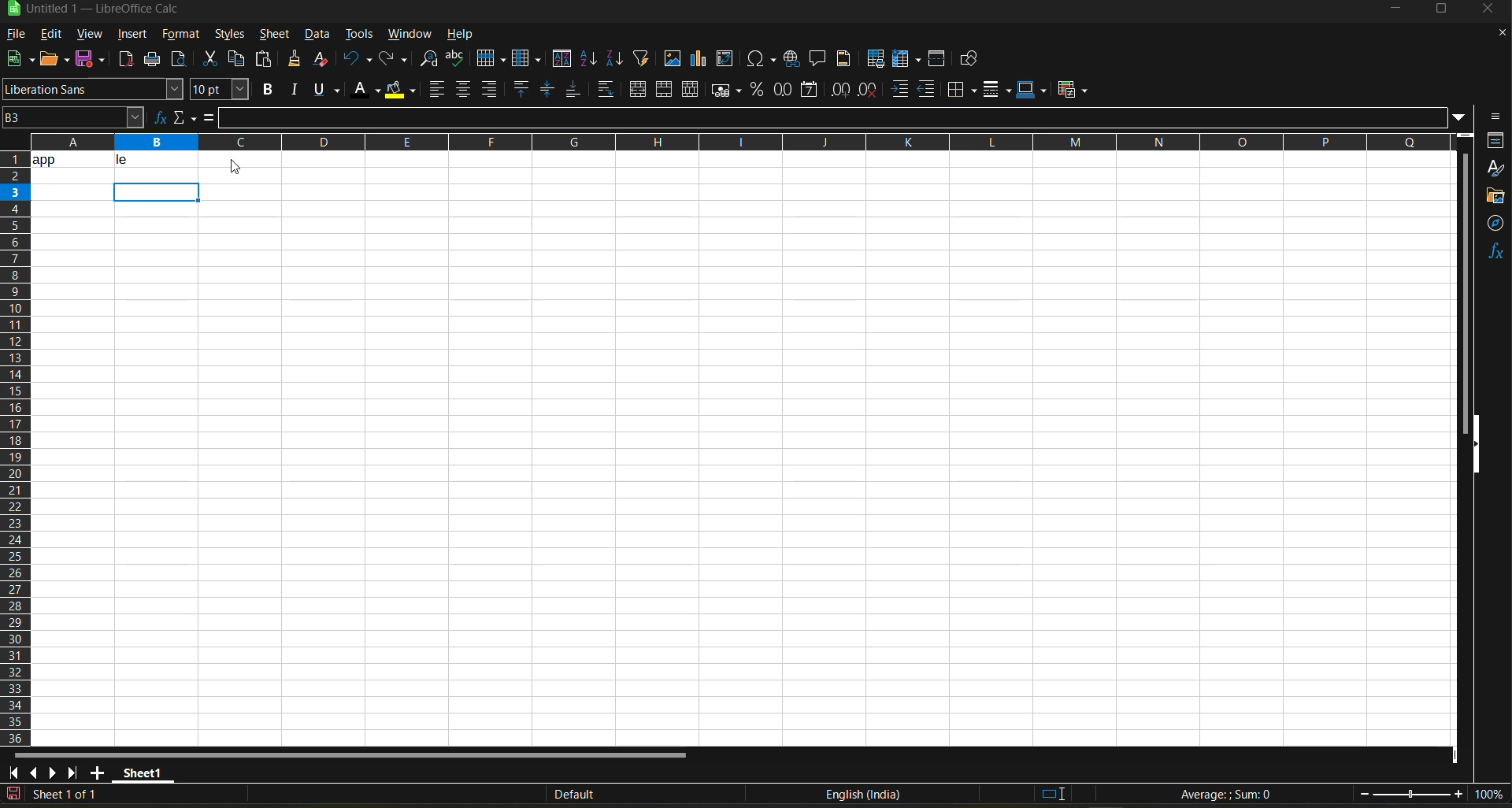  What do you see at coordinates (1032, 89) in the screenshot?
I see `border color` at bounding box center [1032, 89].